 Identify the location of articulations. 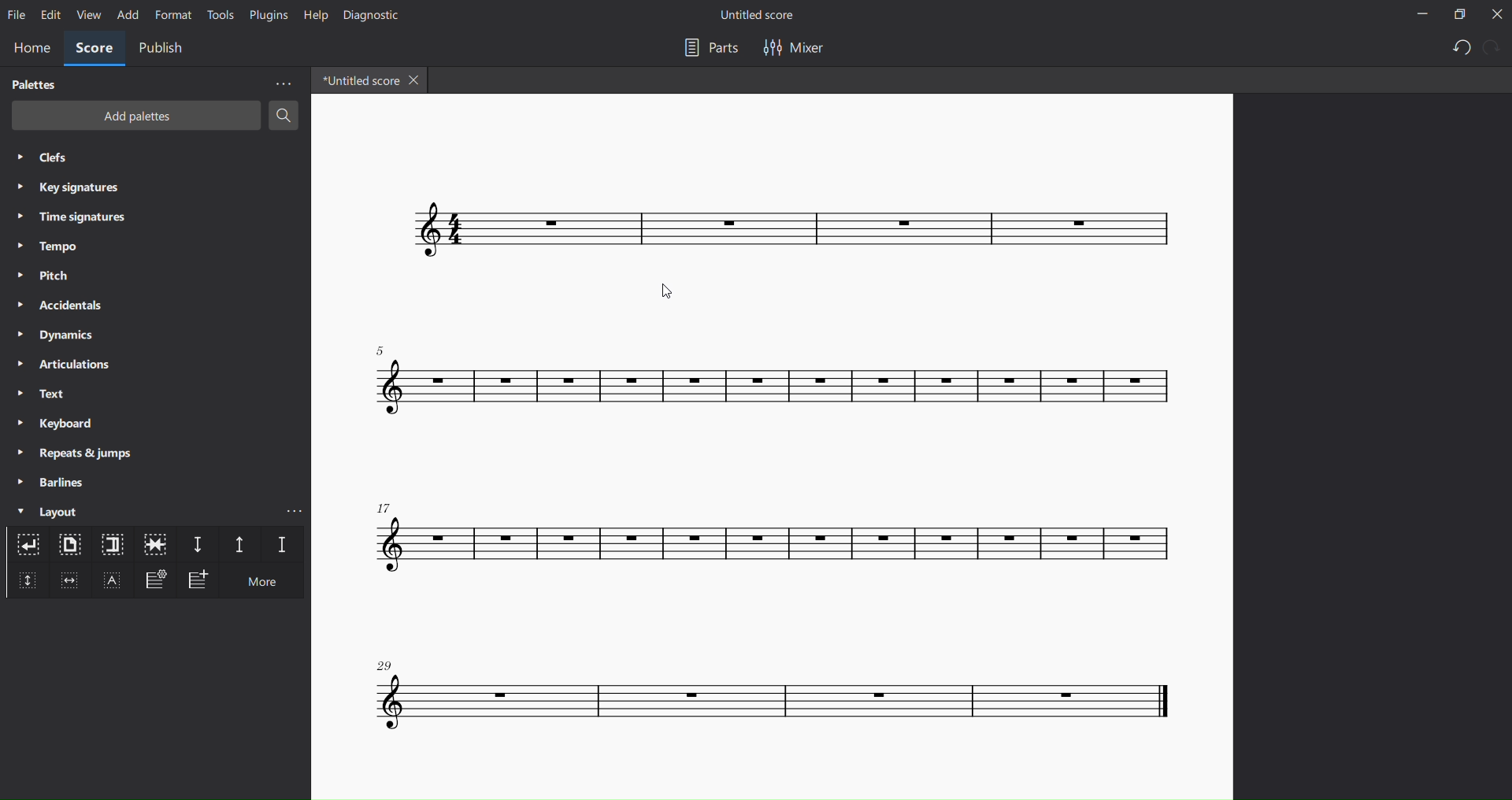
(64, 365).